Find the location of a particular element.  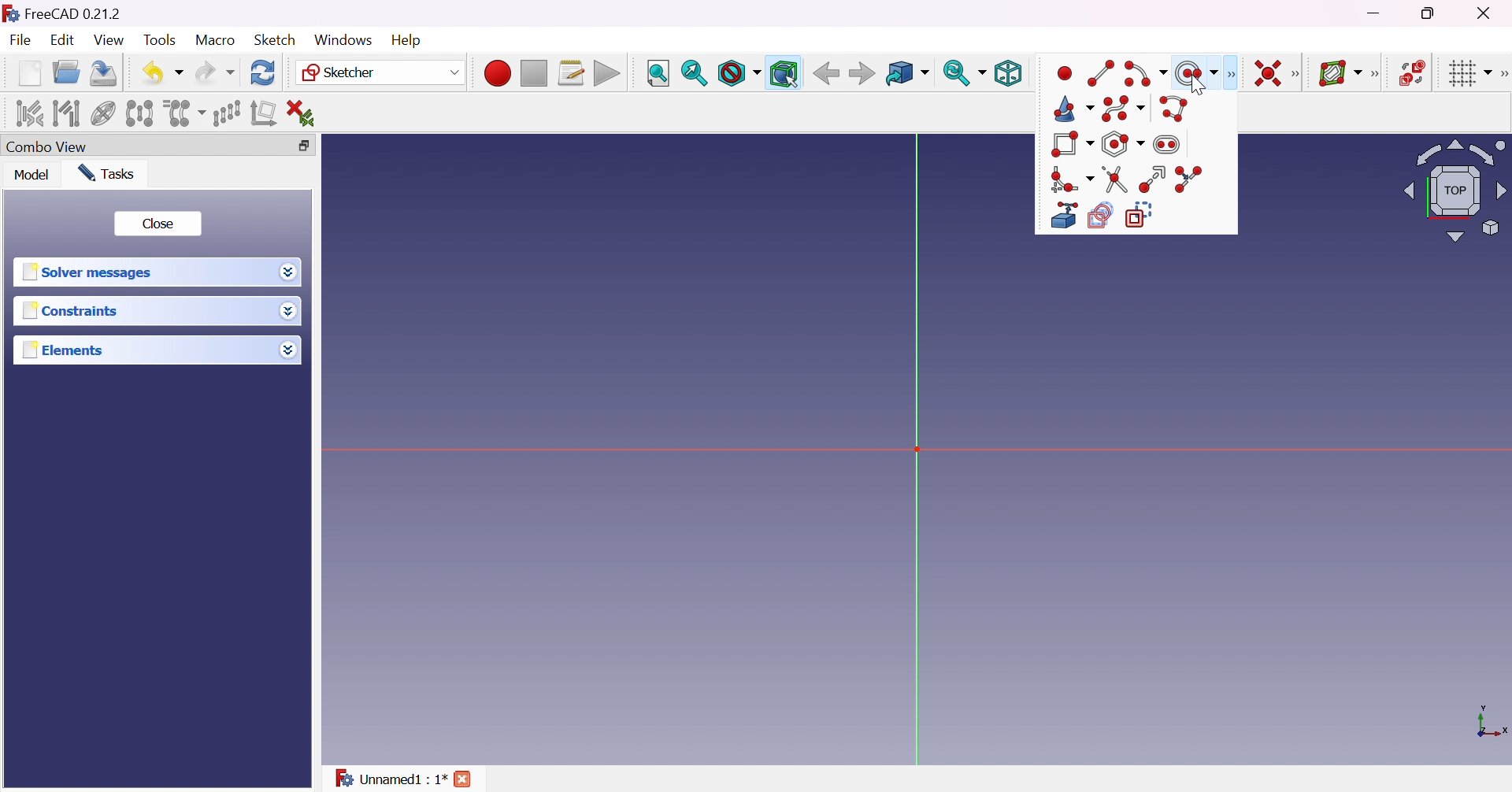

Help is located at coordinates (408, 40).